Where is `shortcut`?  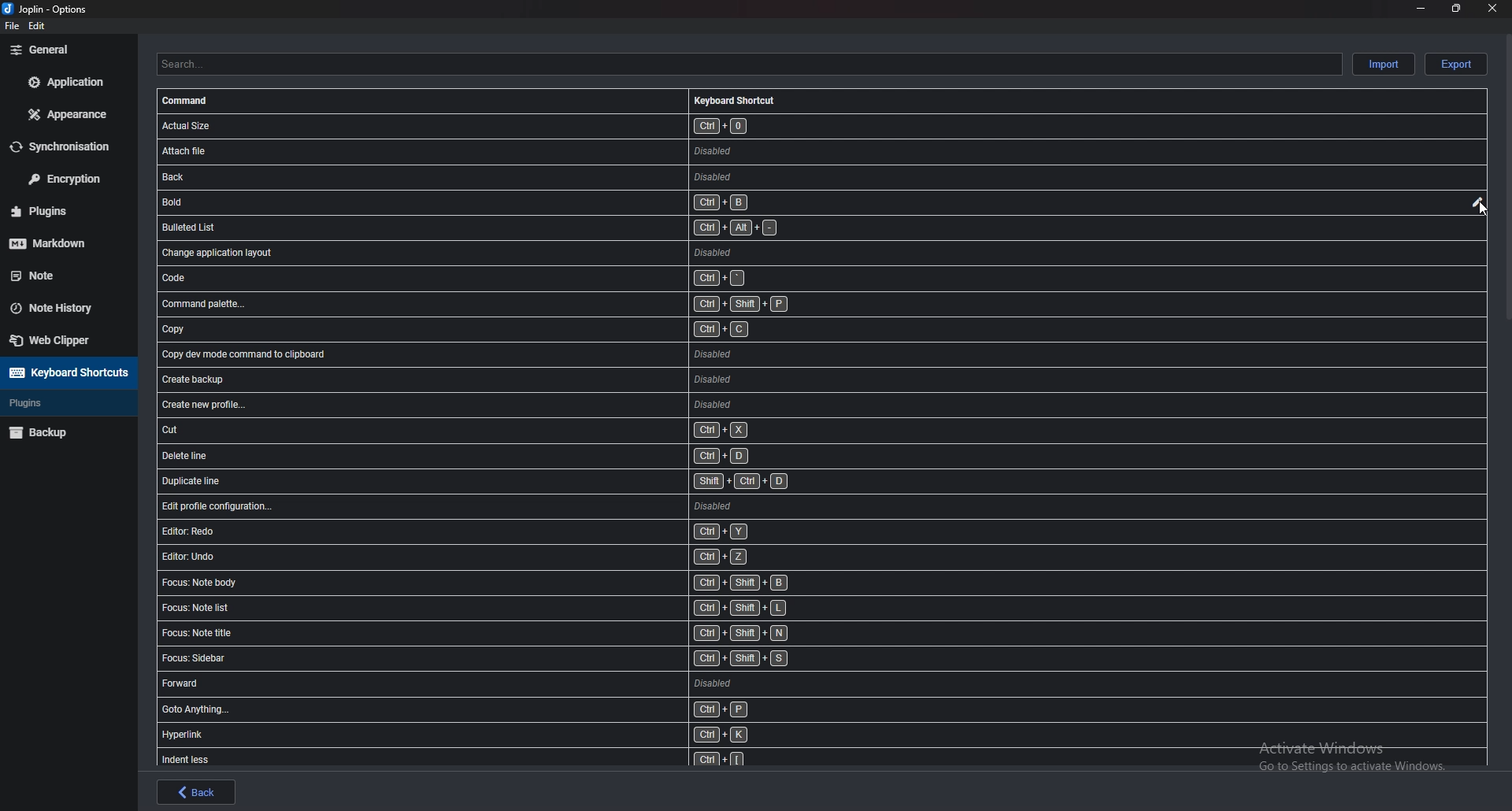 shortcut is located at coordinates (516, 659).